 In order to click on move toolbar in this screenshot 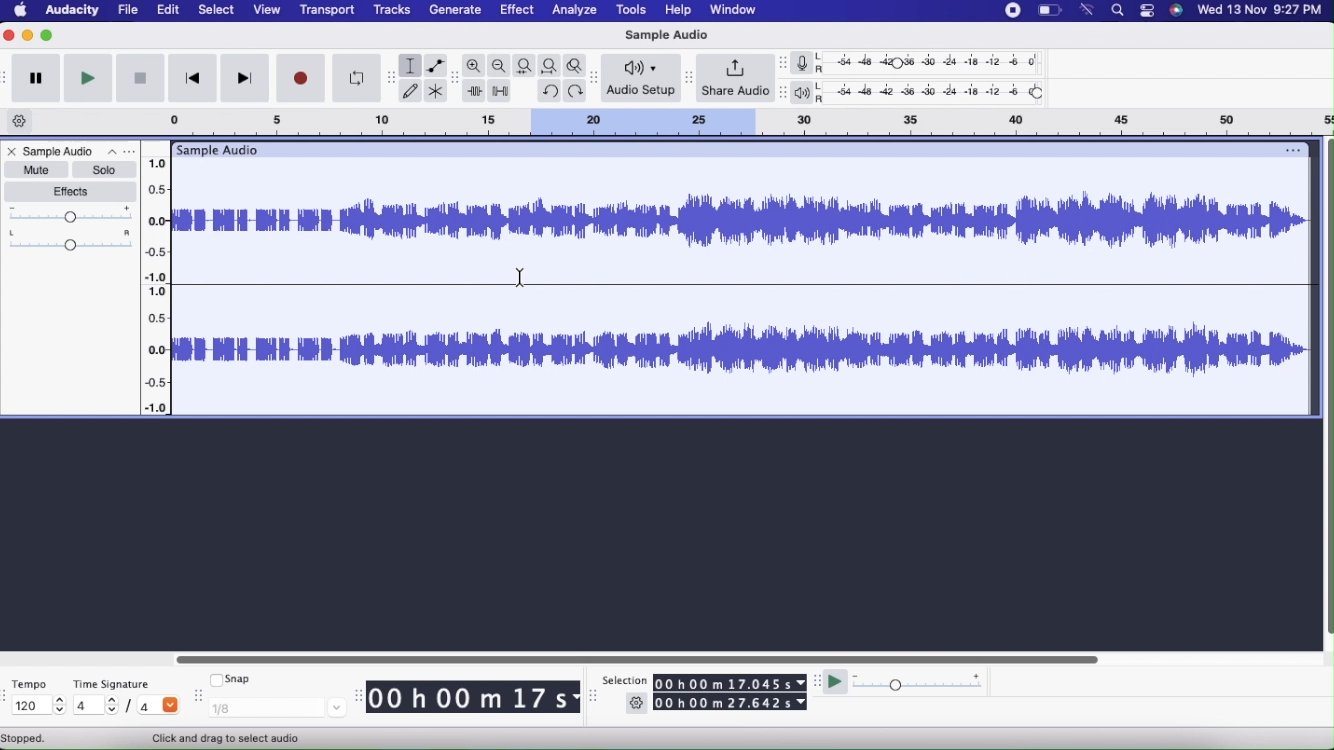, I will do `click(783, 64)`.